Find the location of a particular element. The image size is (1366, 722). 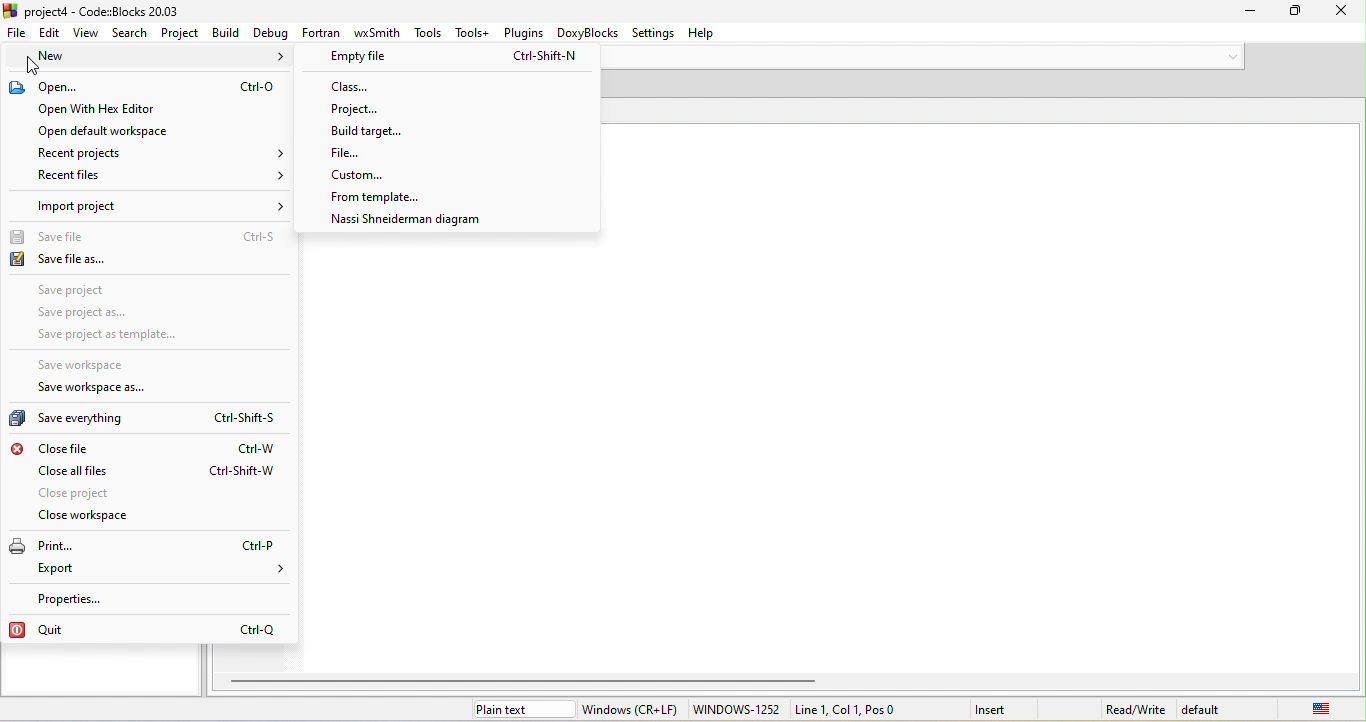

recent files is located at coordinates (155, 178).